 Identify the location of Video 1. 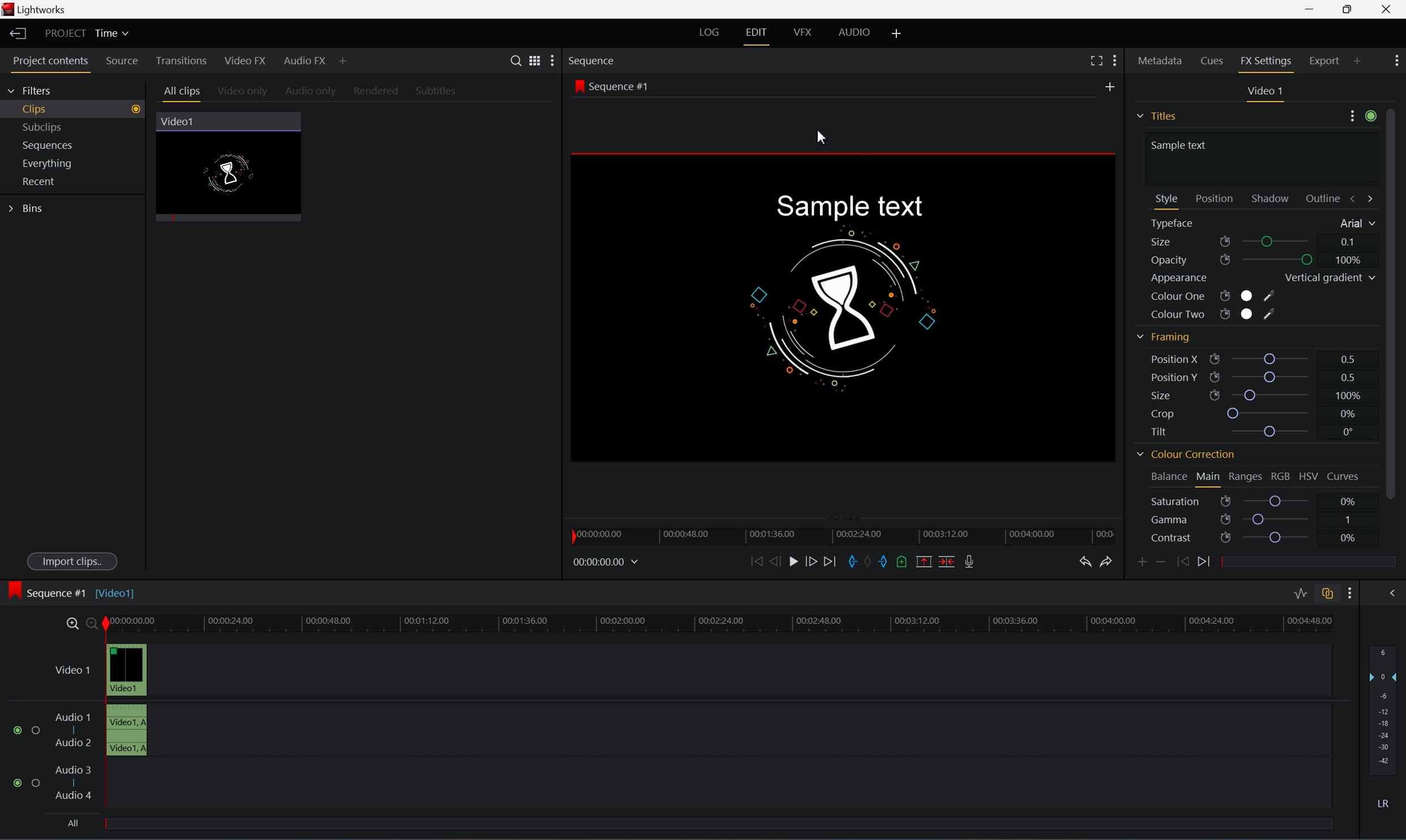
(75, 671).